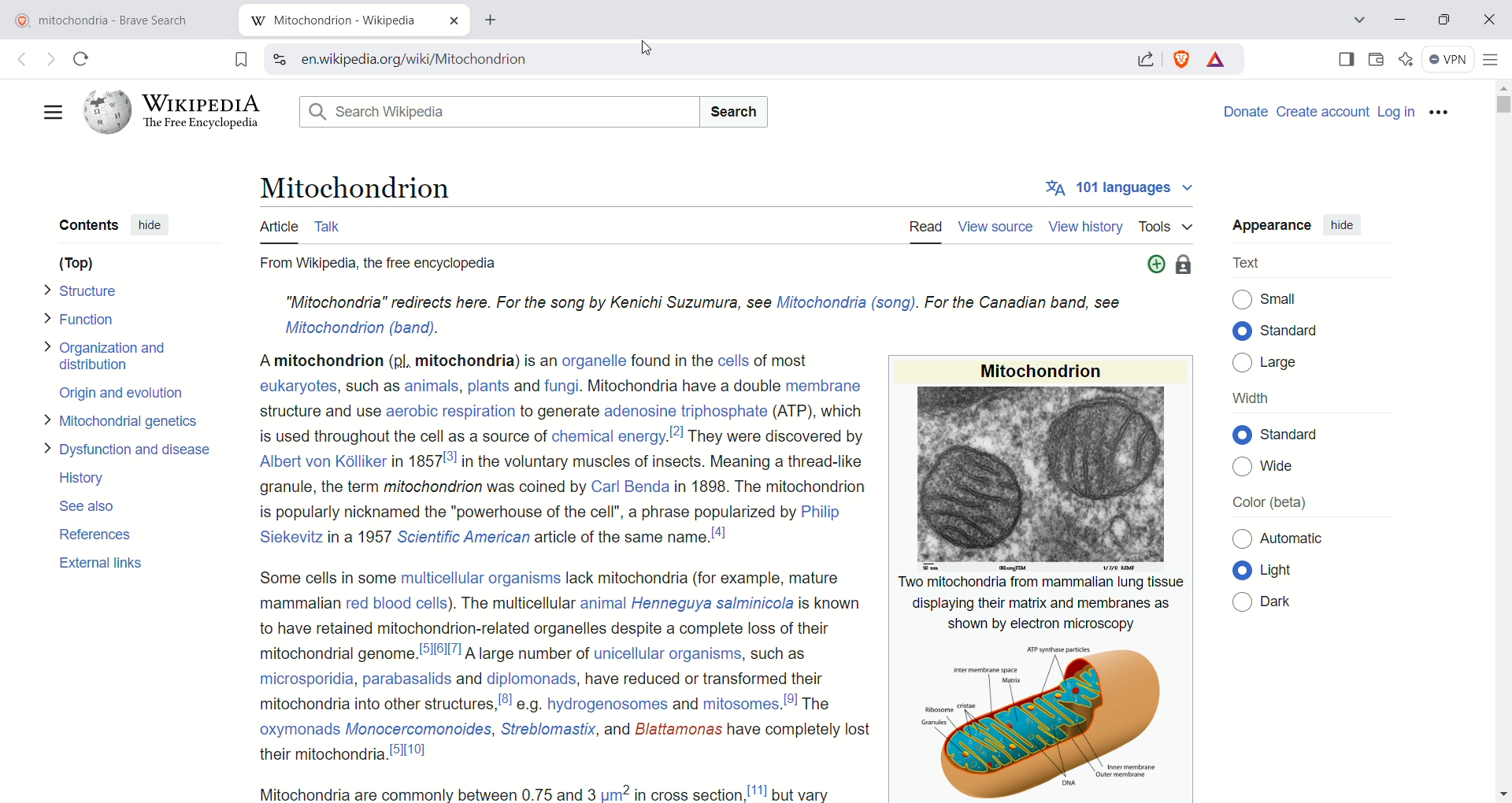 The width and height of the screenshot is (1512, 803). Describe the element at coordinates (1292, 572) in the screenshot. I see `Light` at that location.